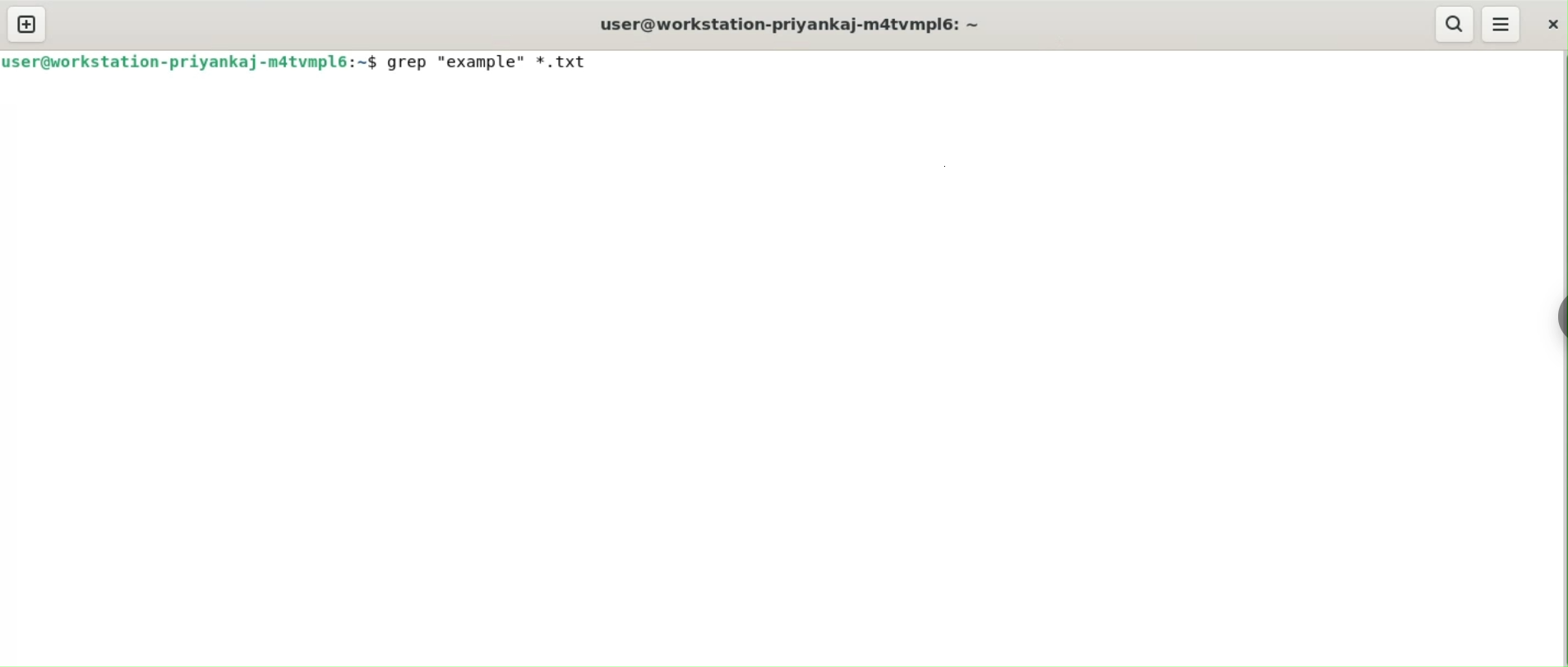 This screenshot has width=1568, height=667. What do you see at coordinates (492, 63) in the screenshot?
I see `grep "example" *.txt` at bounding box center [492, 63].